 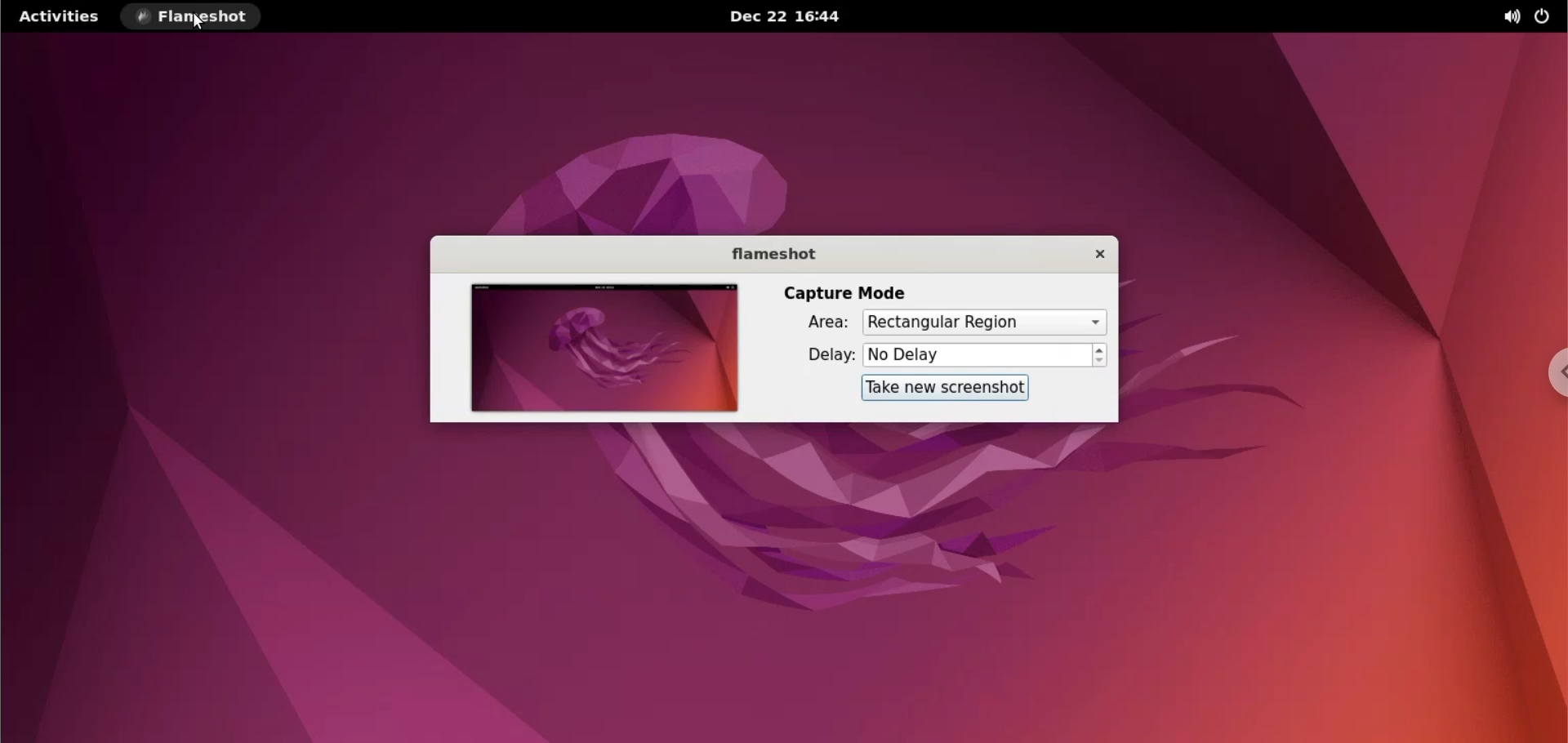 What do you see at coordinates (1100, 355) in the screenshot?
I see `increment or decrement delay ` at bounding box center [1100, 355].